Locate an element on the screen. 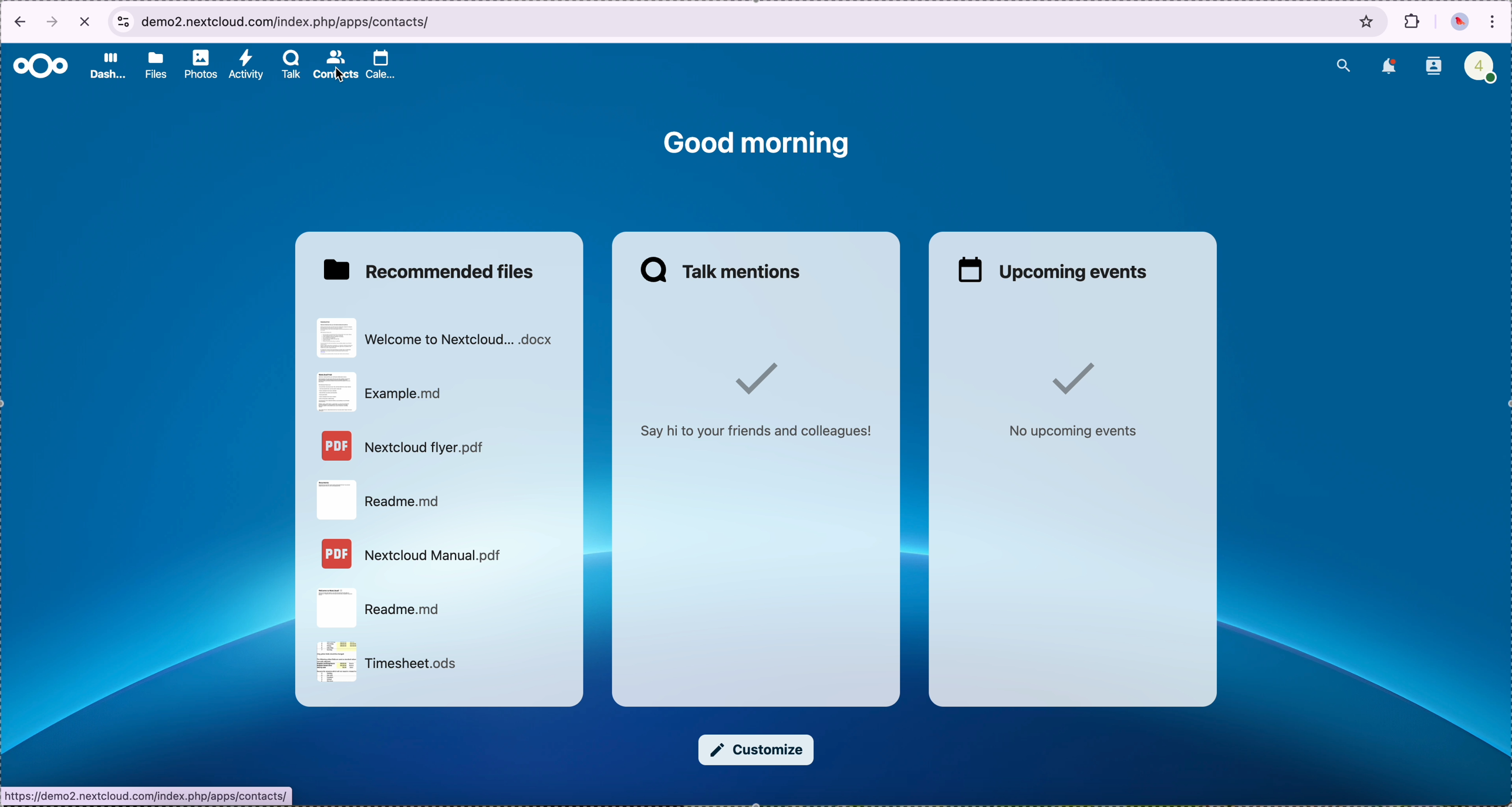  activity is located at coordinates (245, 66).